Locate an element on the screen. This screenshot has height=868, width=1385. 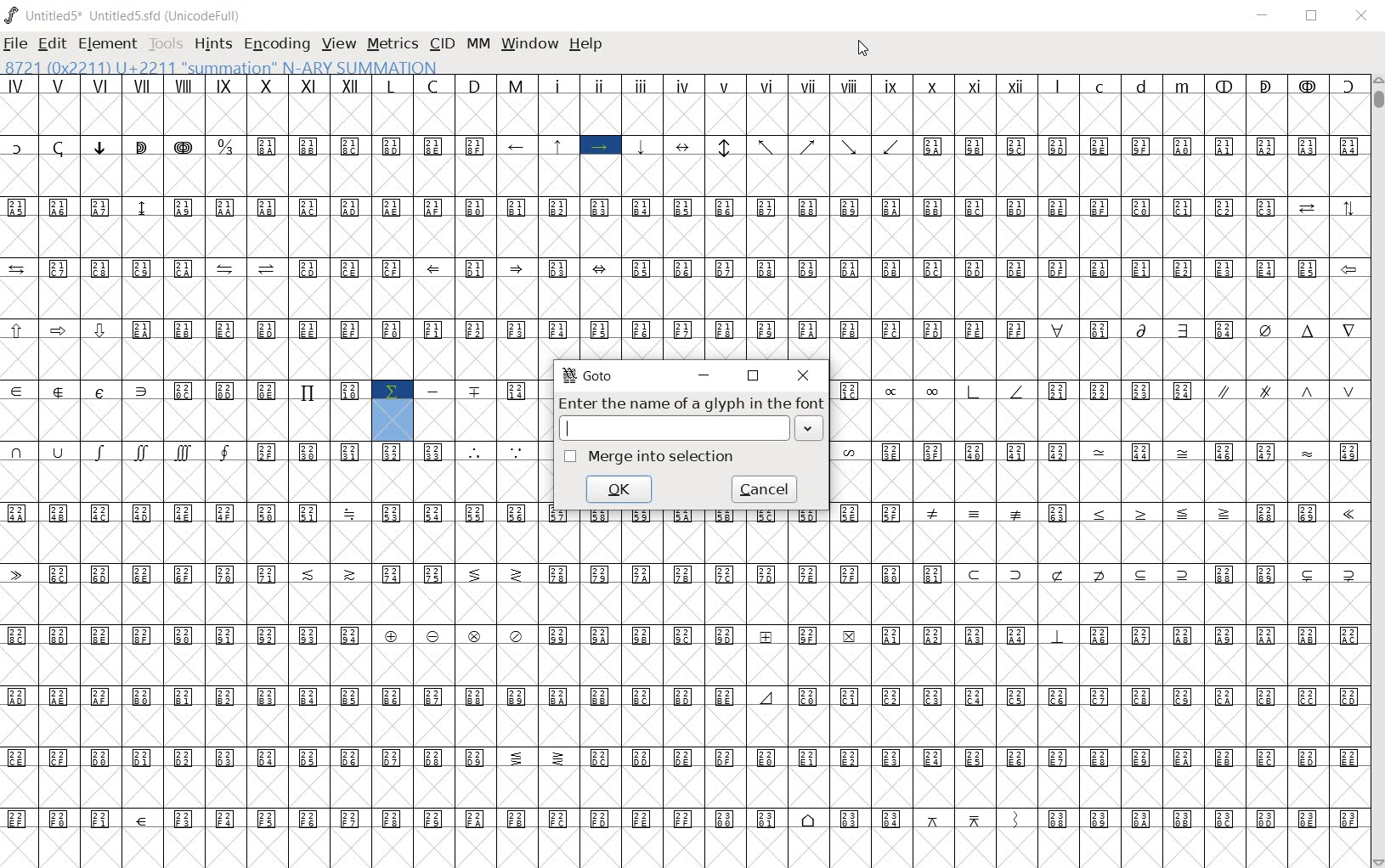
FILE is located at coordinates (17, 44).